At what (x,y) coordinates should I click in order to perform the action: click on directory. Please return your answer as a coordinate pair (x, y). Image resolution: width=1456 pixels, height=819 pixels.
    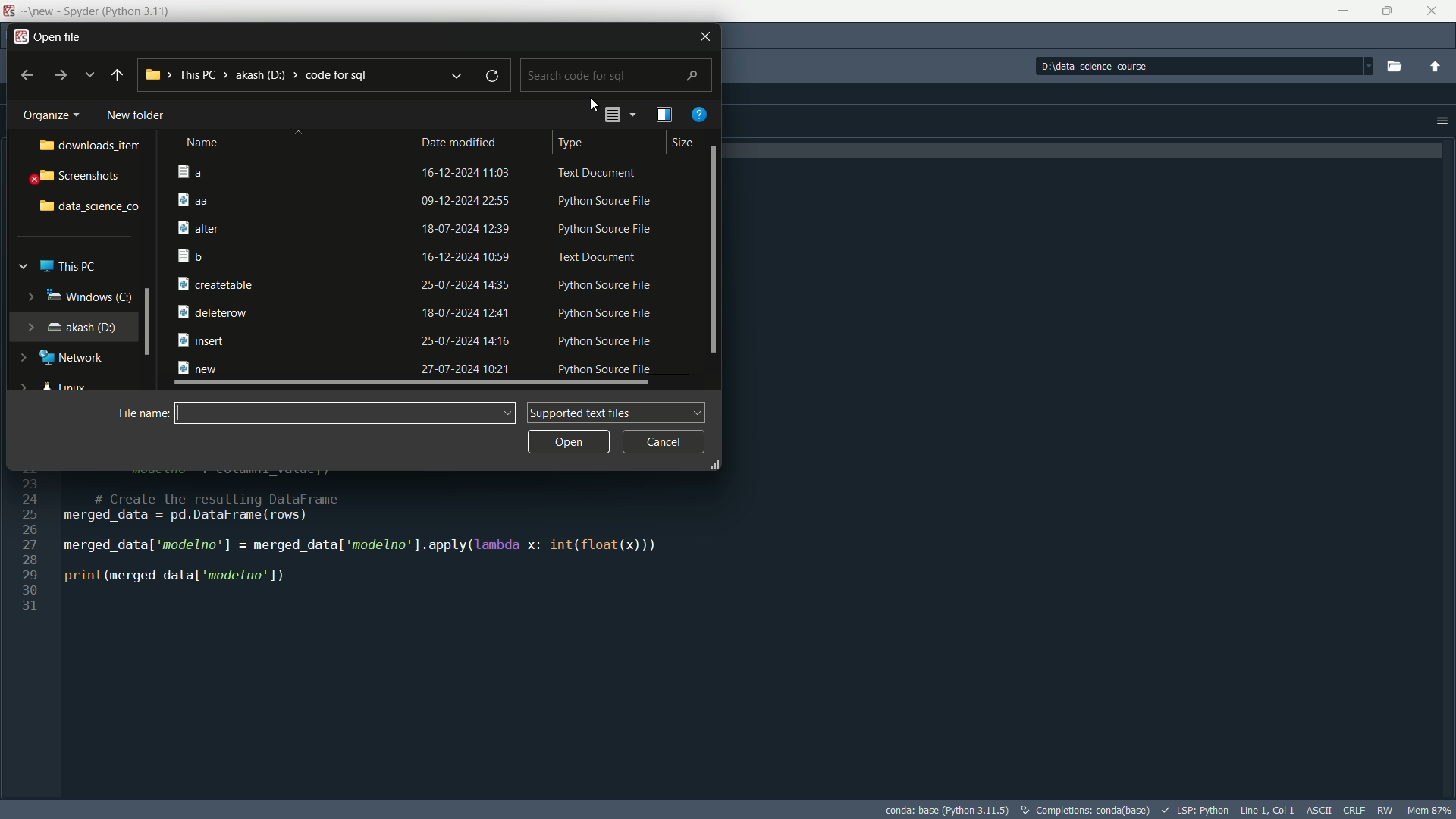
    Looking at the image, I should click on (1200, 67).